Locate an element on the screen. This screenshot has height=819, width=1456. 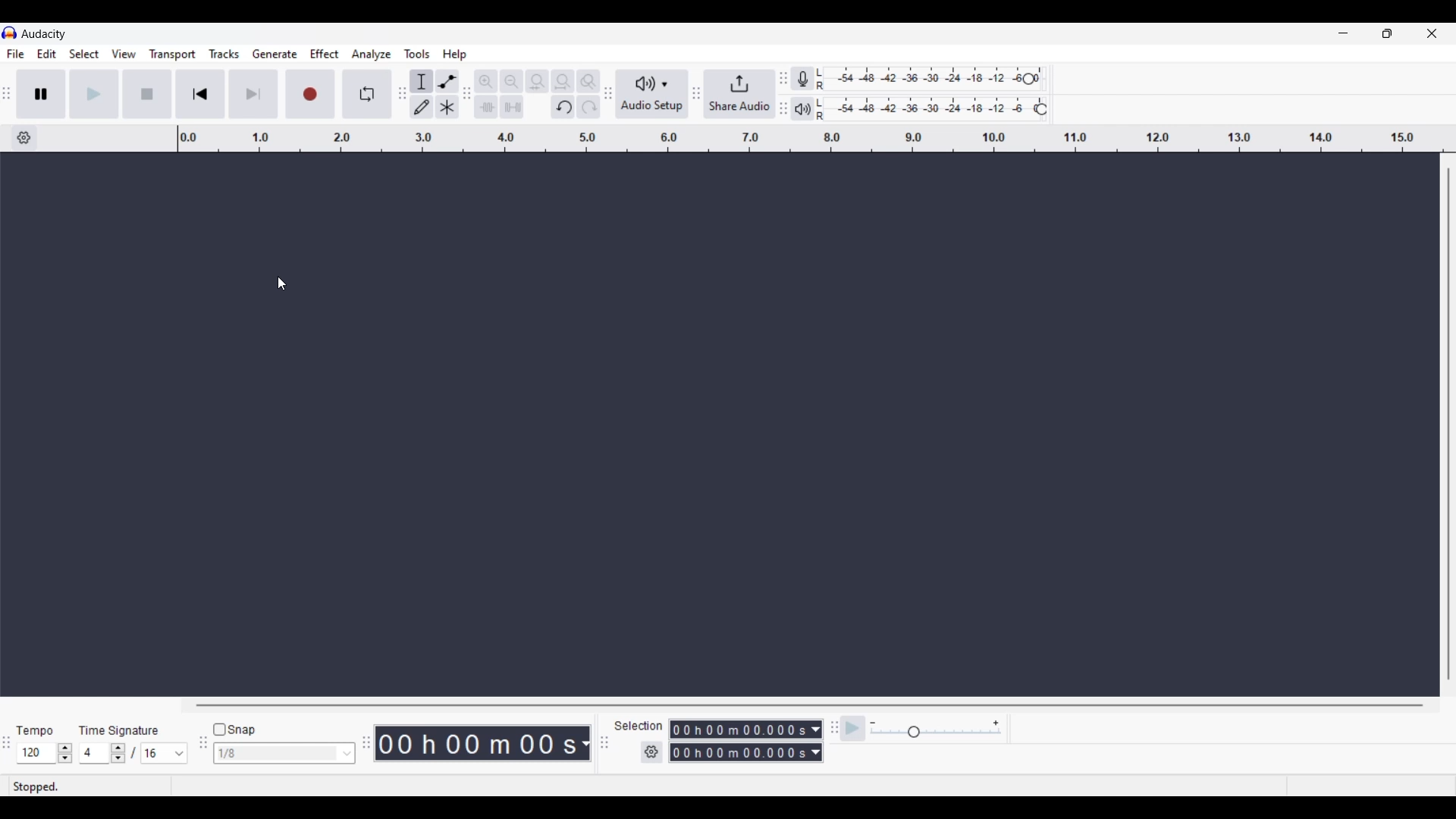
Snap options to choose from is located at coordinates (348, 754).